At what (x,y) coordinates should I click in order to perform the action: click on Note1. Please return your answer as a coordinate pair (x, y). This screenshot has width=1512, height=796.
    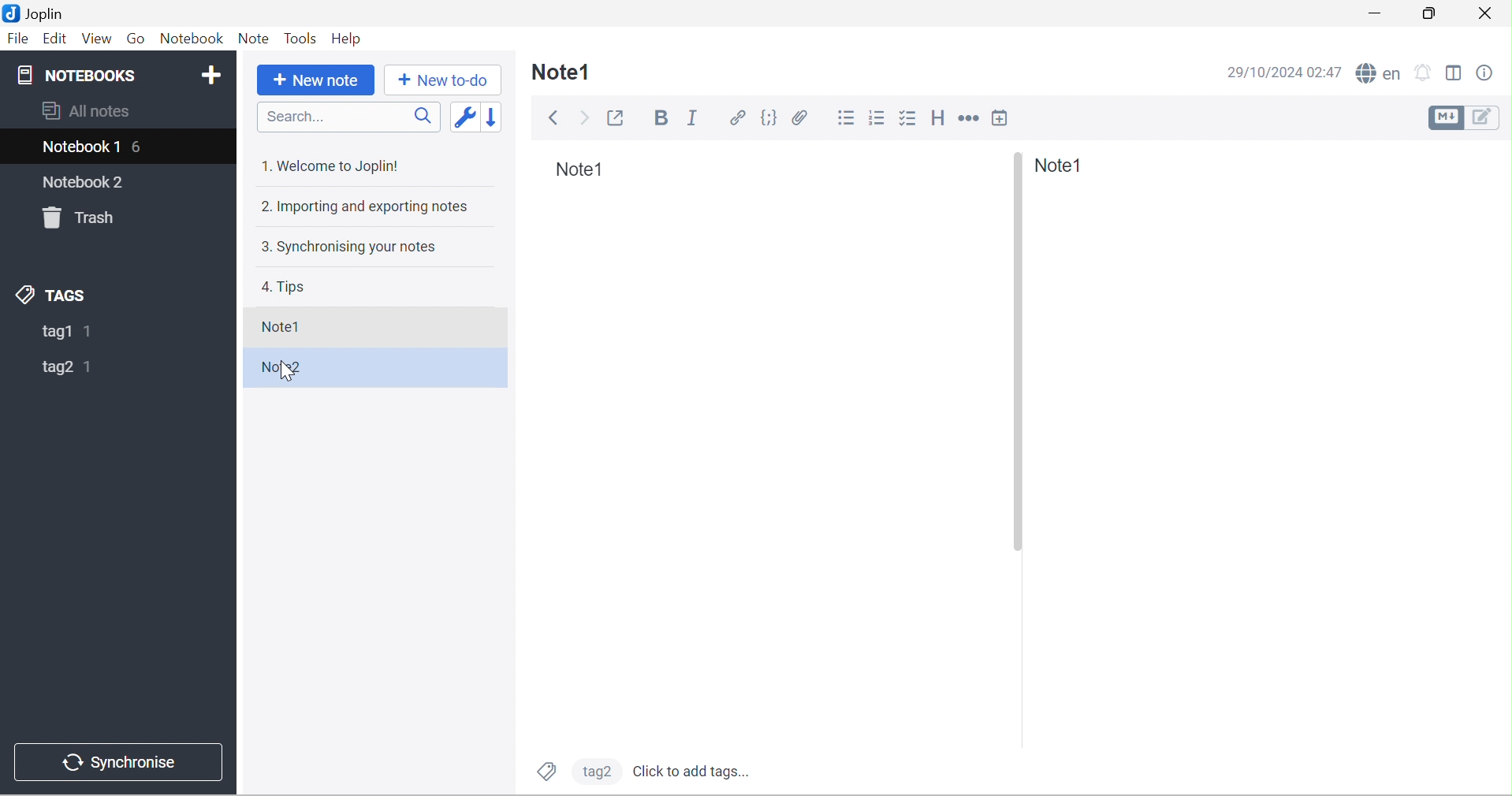
    Looking at the image, I should click on (1062, 168).